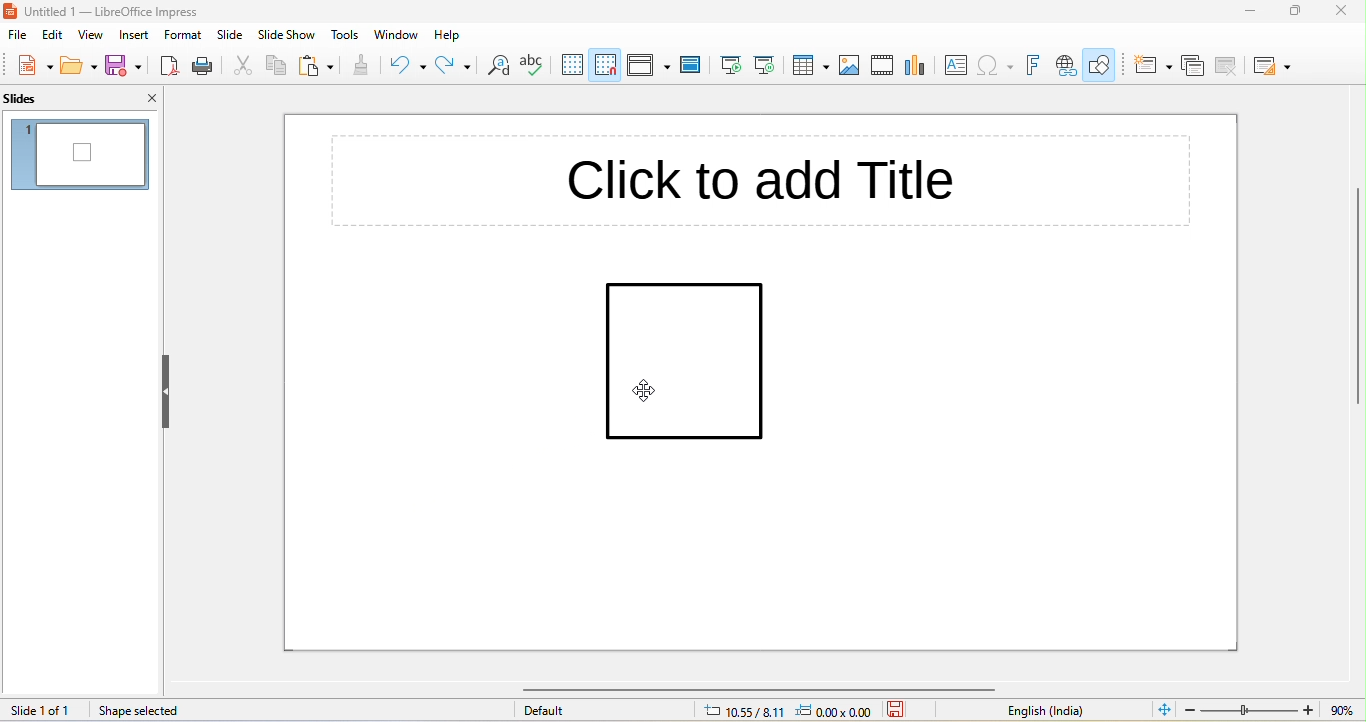  Describe the element at coordinates (277, 63) in the screenshot. I see `copy` at that location.